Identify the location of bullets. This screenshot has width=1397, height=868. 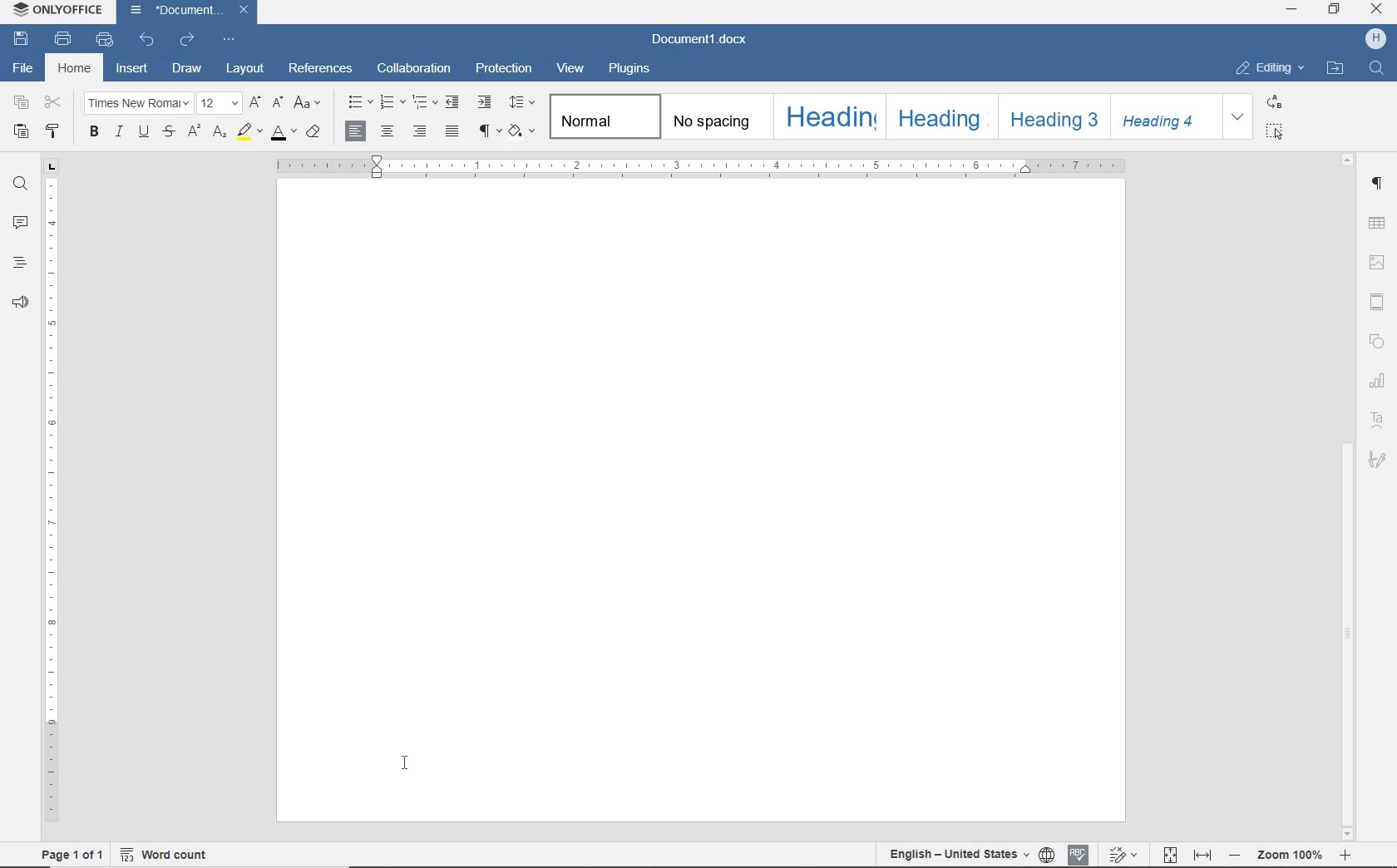
(358, 101).